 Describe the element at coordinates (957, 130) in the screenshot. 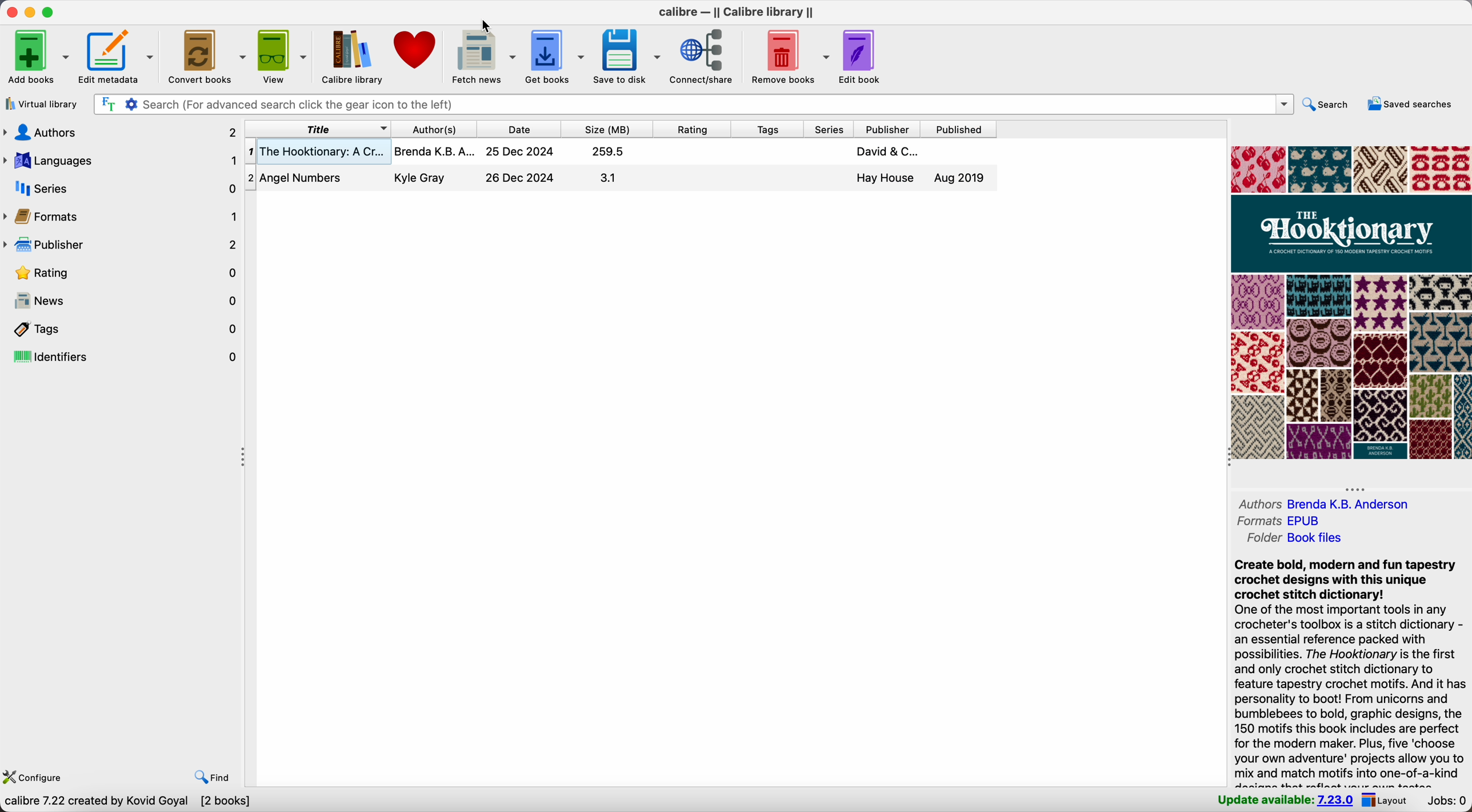

I see `published` at that location.